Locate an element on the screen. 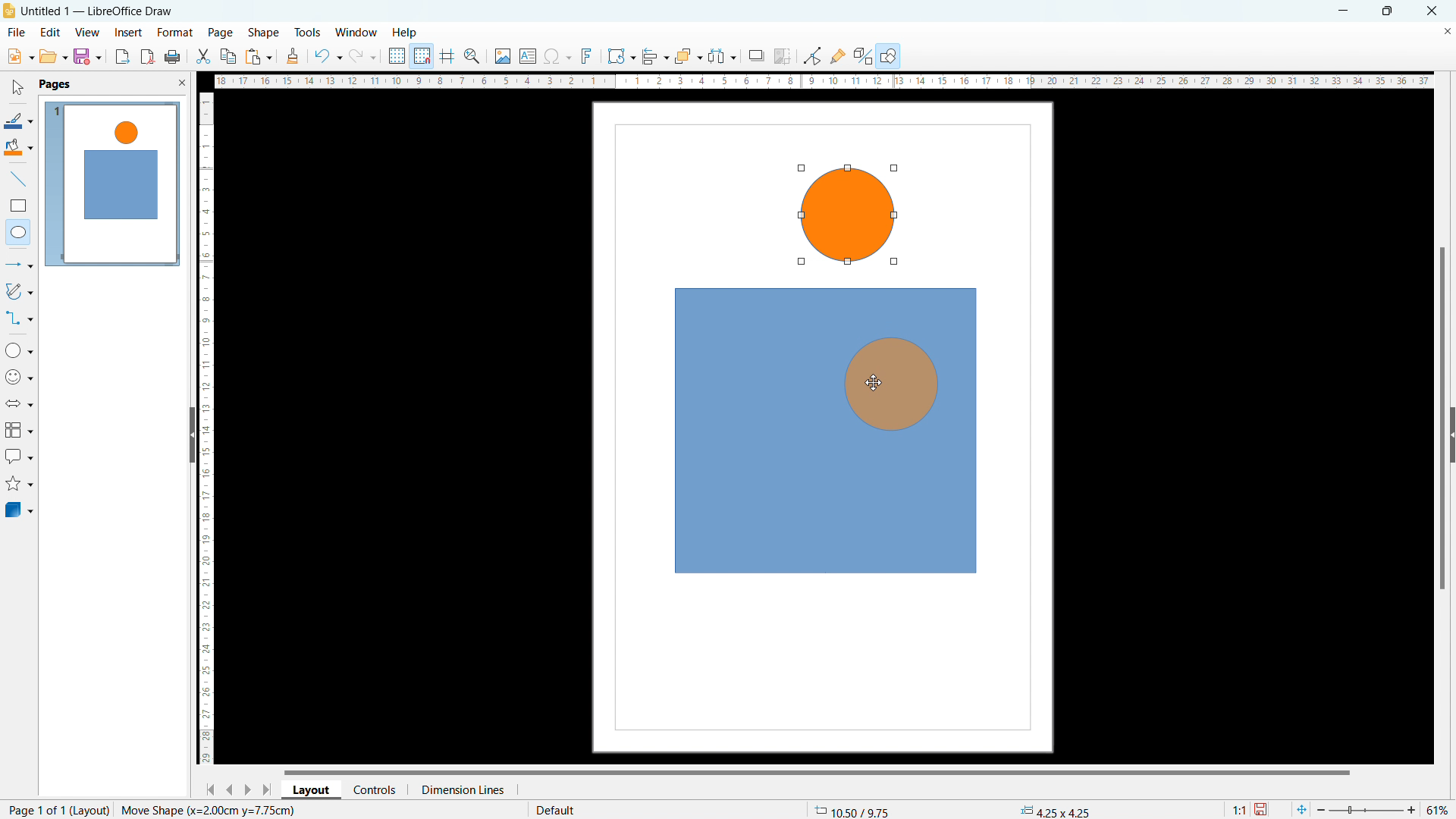 Image resolution: width=1456 pixels, height=819 pixels. page is located at coordinates (221, 32).